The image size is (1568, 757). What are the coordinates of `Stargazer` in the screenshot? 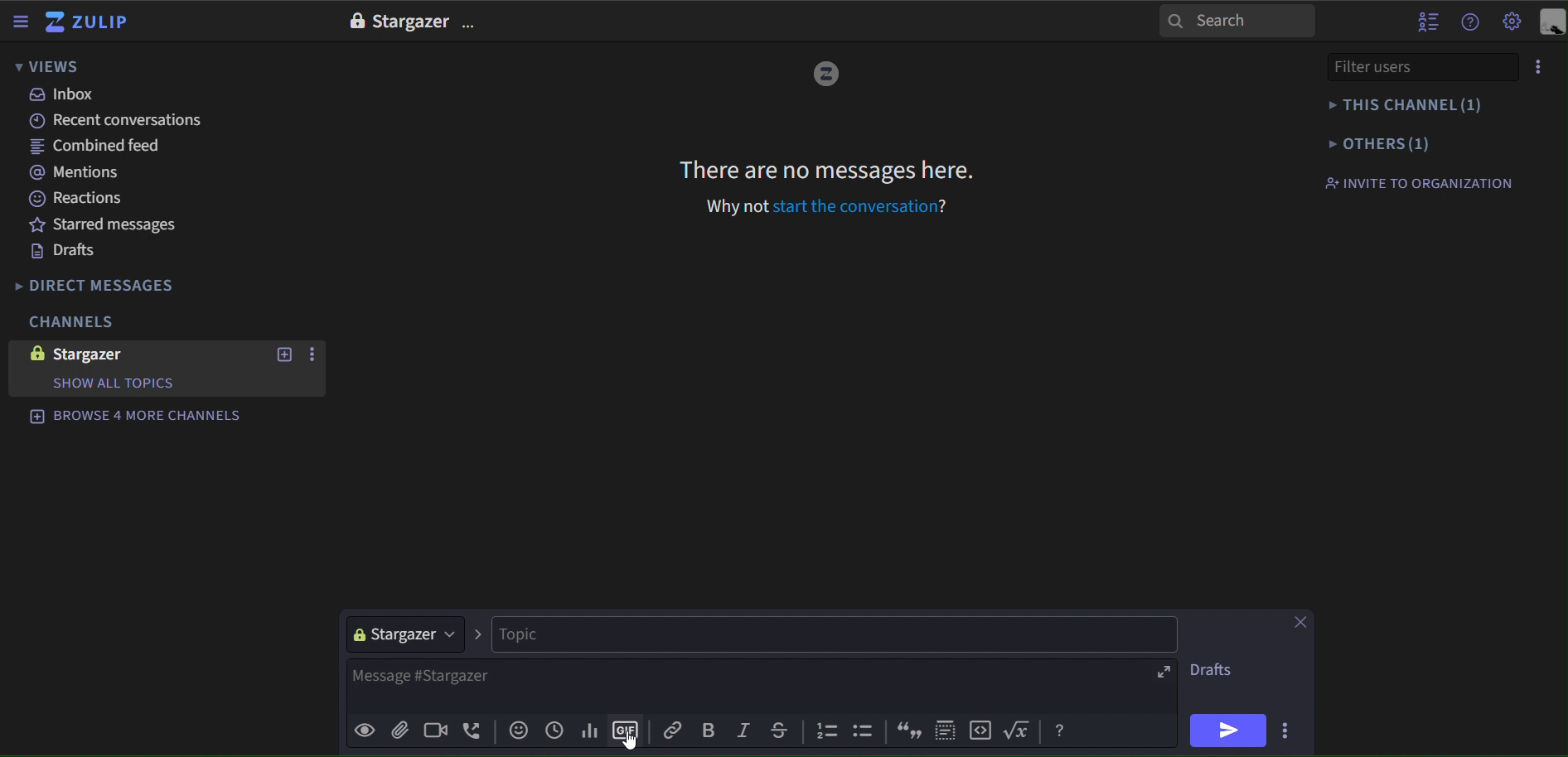 It's located at (410, 22).